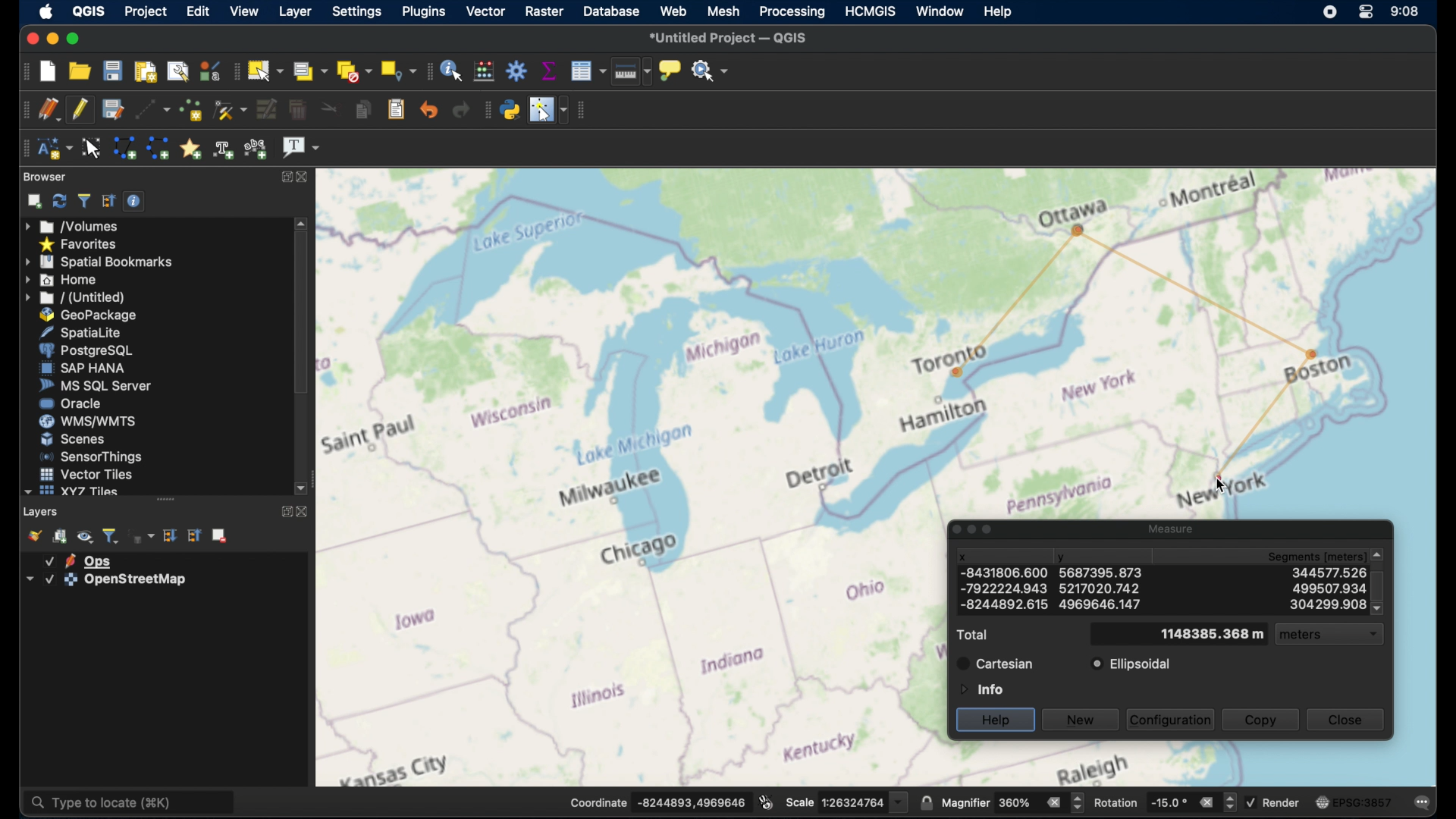  Describe the element at coordinates (237, 70) in the screenshot. I see `selection toolbar` at that location.